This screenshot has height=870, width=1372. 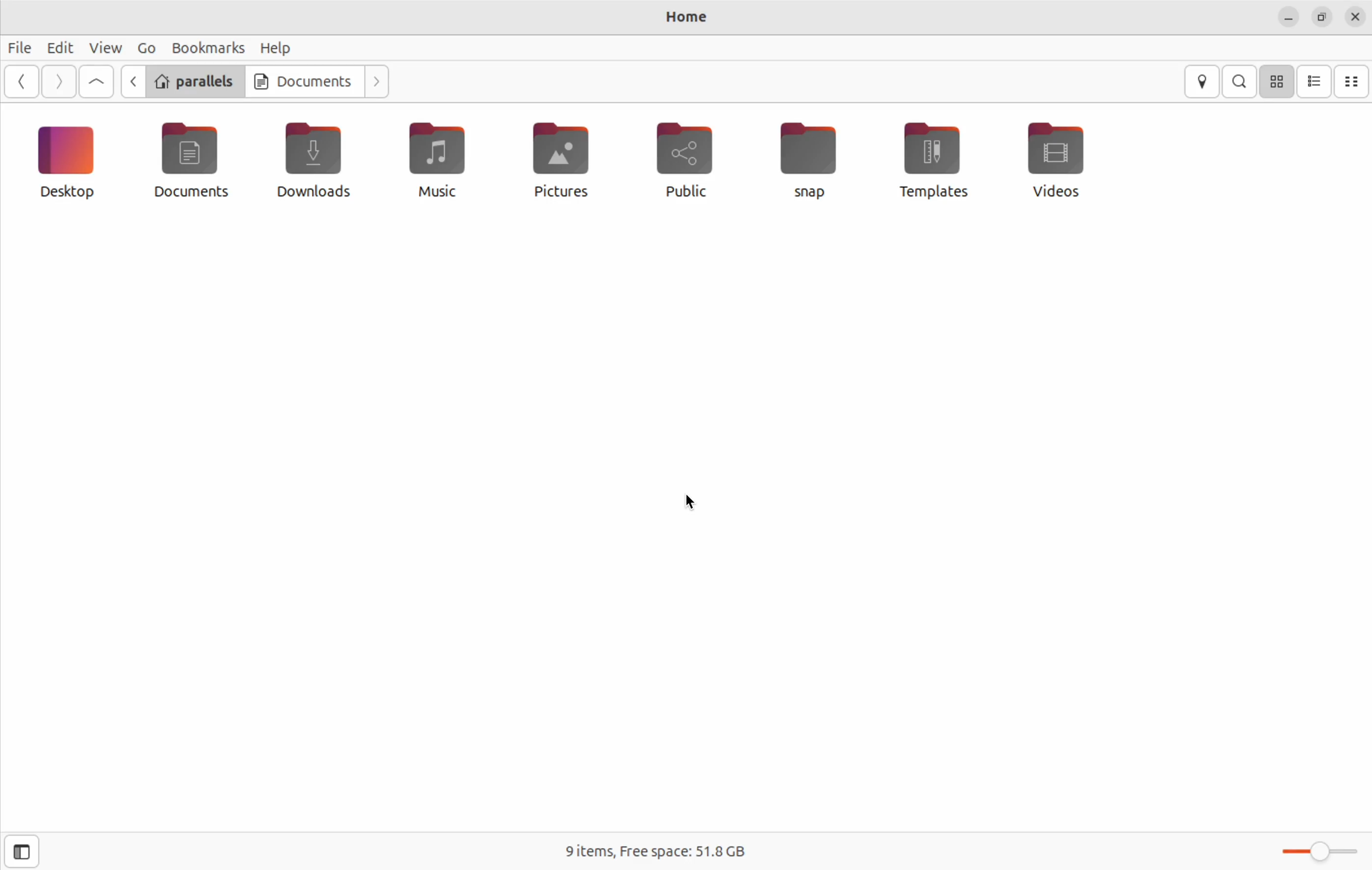 What do you see at coordinates (688, 500) in the screenshot?
I see `cursor` at bounding box center [688, 500].